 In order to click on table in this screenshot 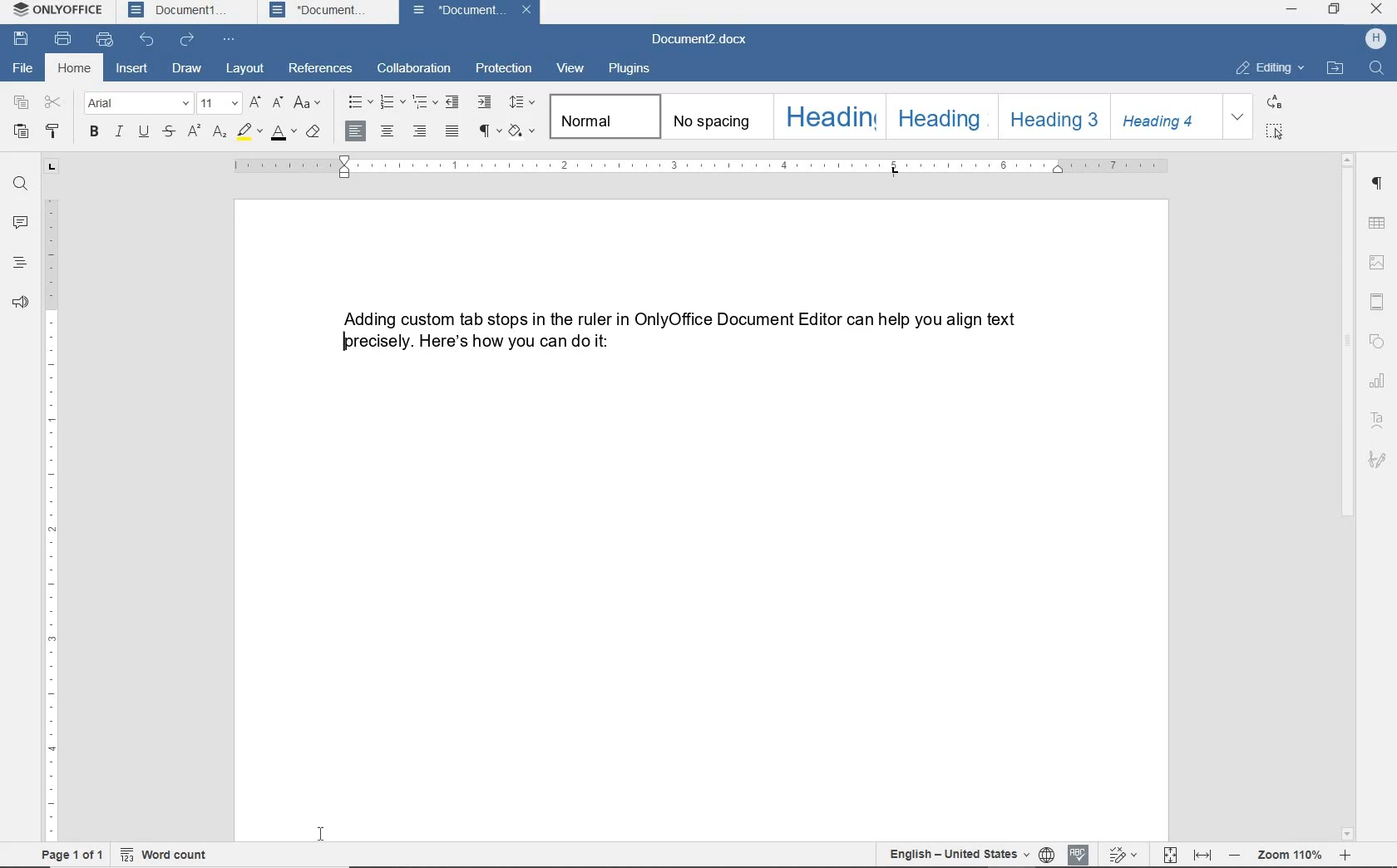, I will do `click(1378, 223)`.